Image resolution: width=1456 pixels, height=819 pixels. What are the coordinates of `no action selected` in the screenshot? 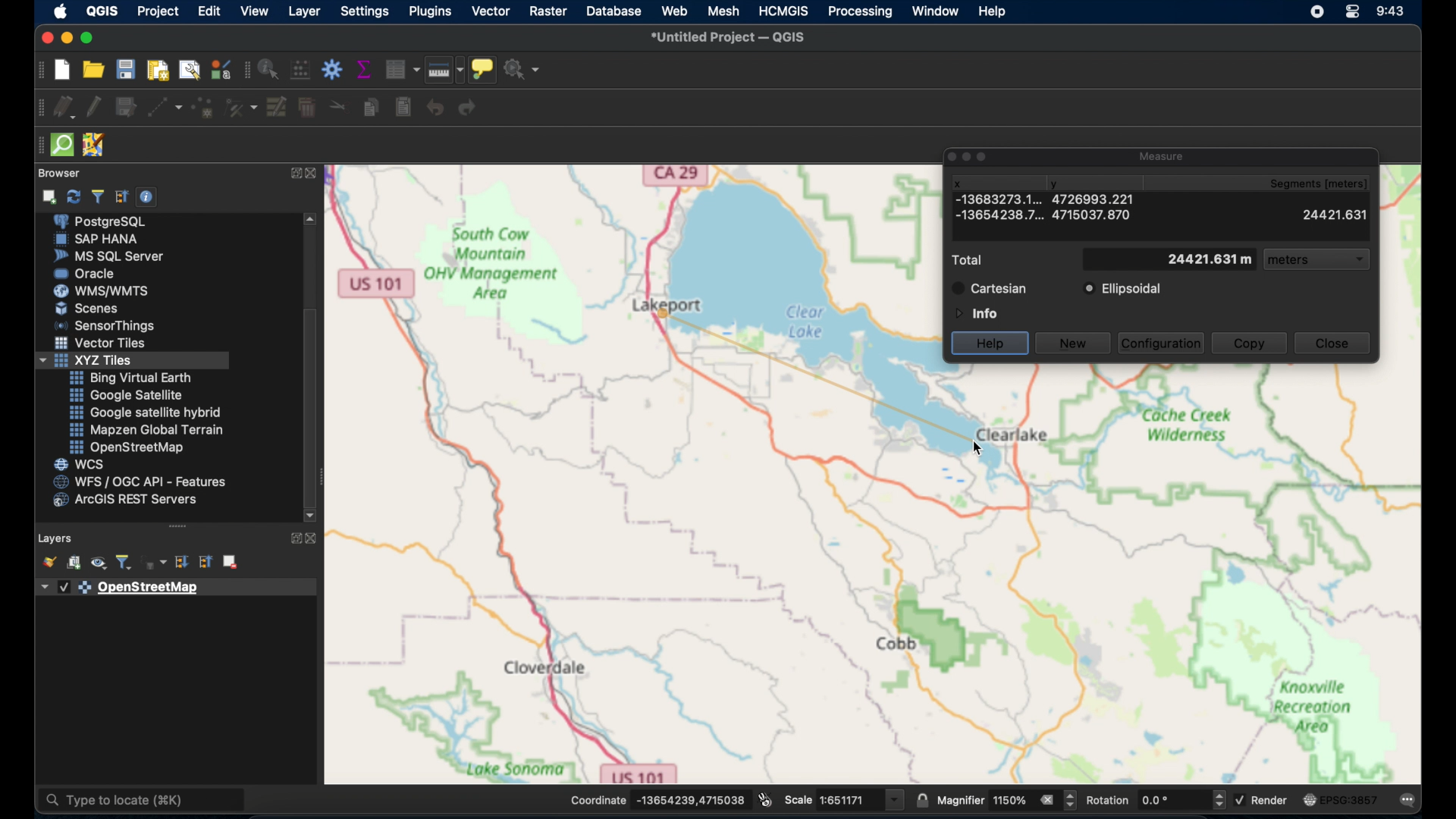 It's located at (524, 69).